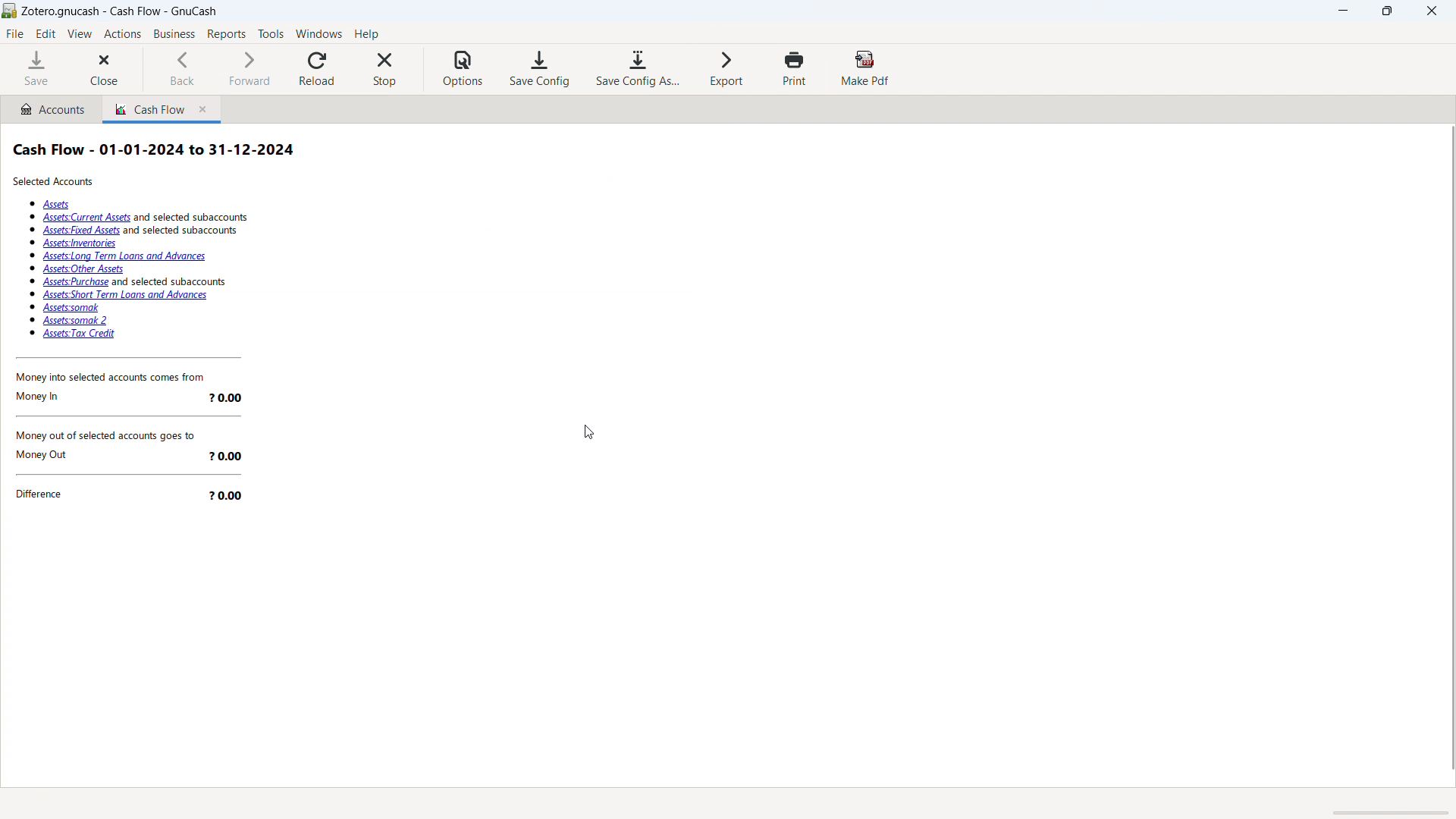 The width and height of the screenshot is (1456, 819). What do you see at coordinates (318, 69) in the screenshot?
I see `reload` at bounding box center [318, 69].